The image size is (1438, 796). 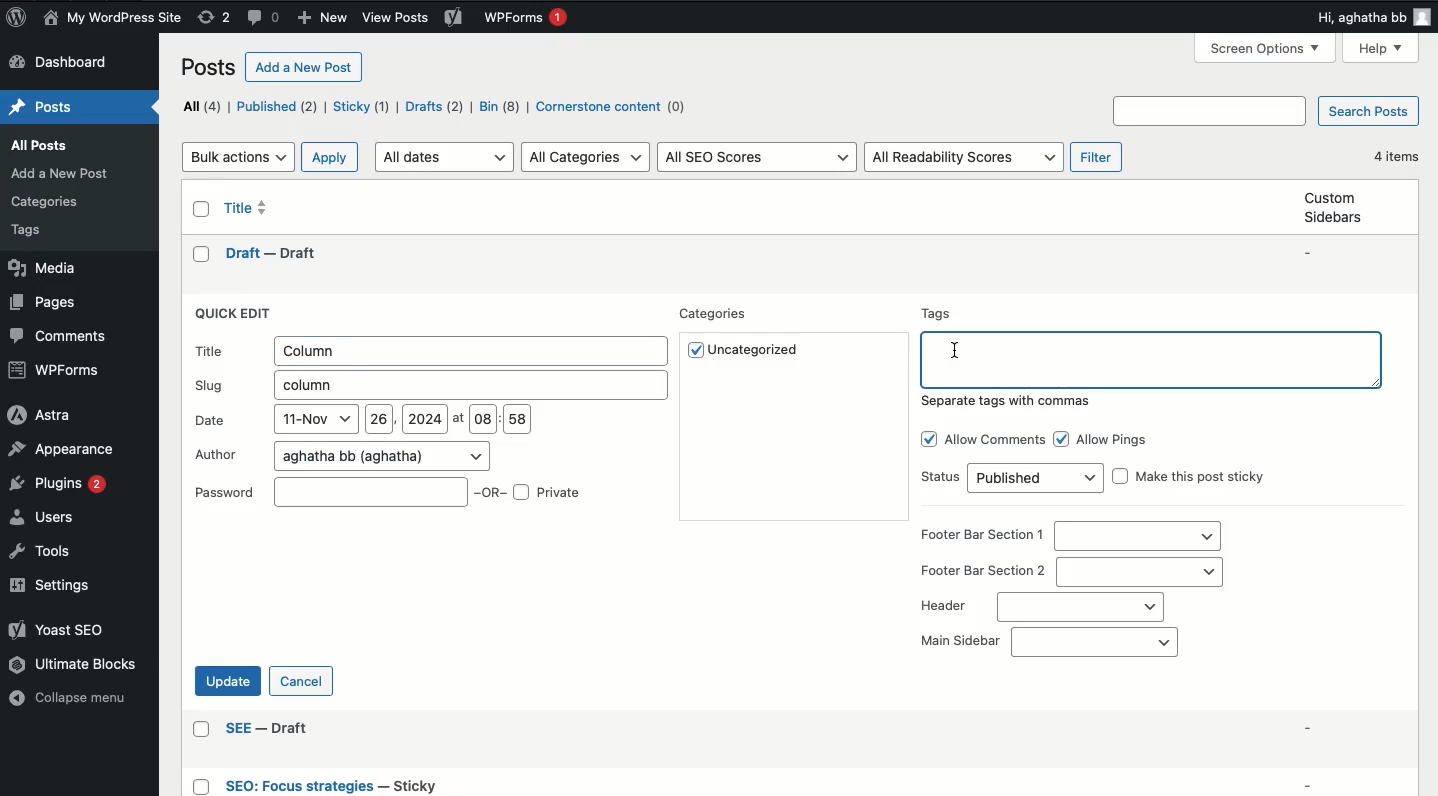 I want to click on All SEO scores, so click(x=760, y=158).